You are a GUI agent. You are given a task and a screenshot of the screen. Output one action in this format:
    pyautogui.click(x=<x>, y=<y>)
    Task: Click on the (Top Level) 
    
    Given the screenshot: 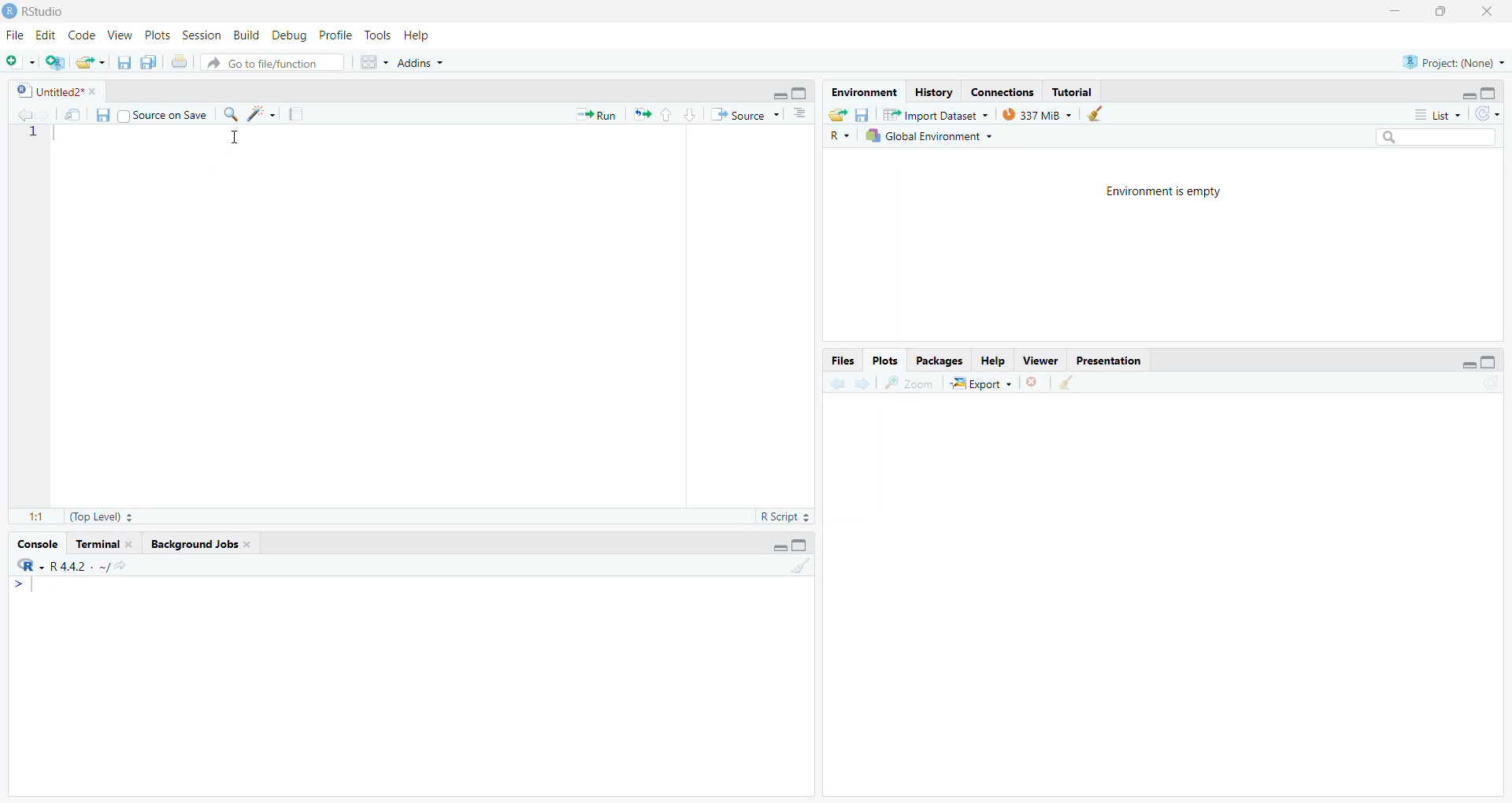 What is the action you would take?
    pyautogui.click(x=98, y=517)
    